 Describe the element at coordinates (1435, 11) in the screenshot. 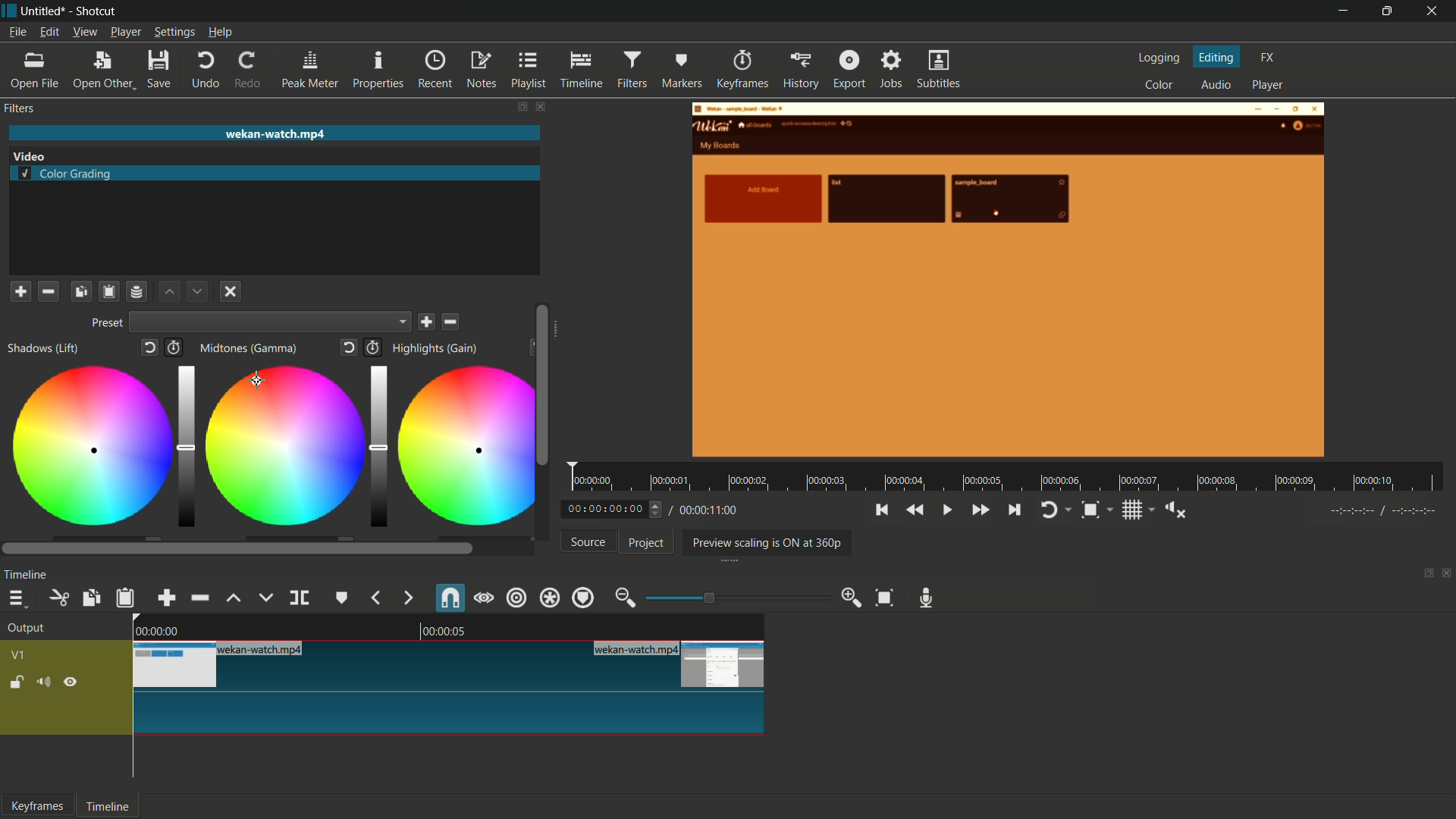

I see `close app` at that location.